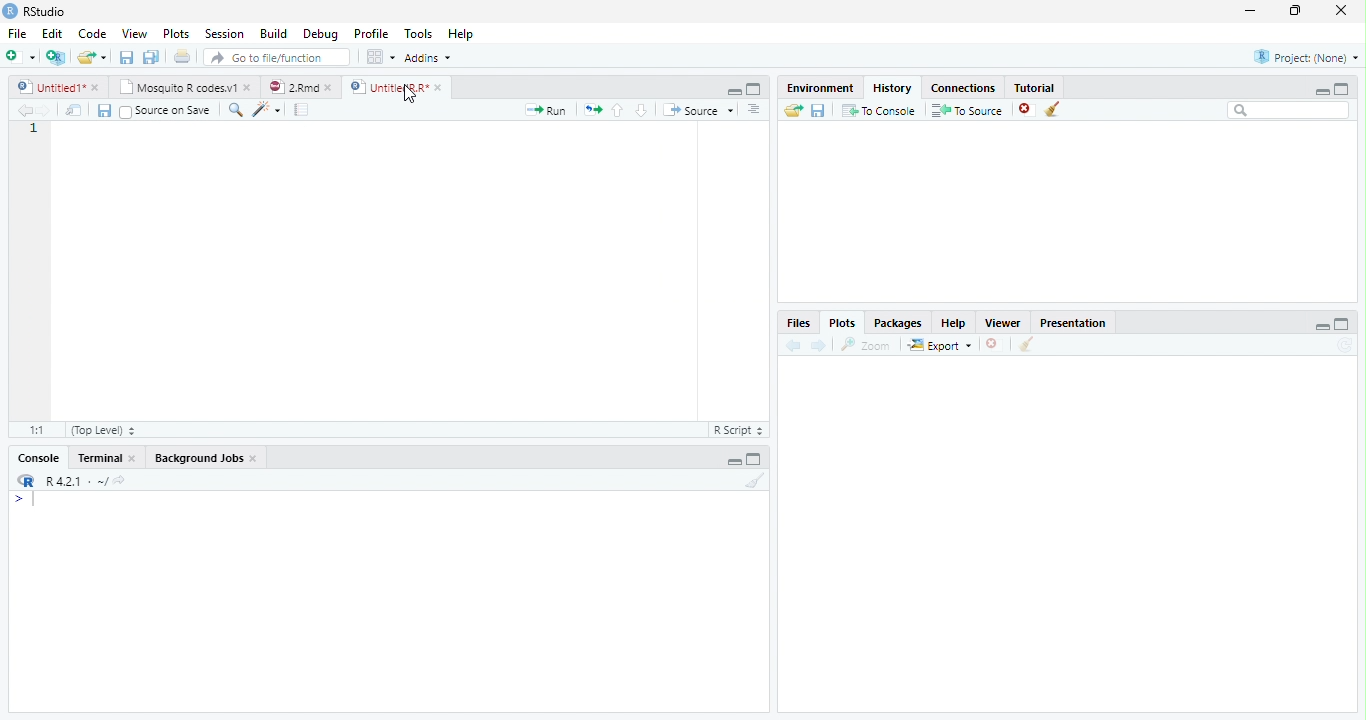 This screenshot has width=1366, height=720. I want to click on Re-run the previous code region, so click(592, 110).